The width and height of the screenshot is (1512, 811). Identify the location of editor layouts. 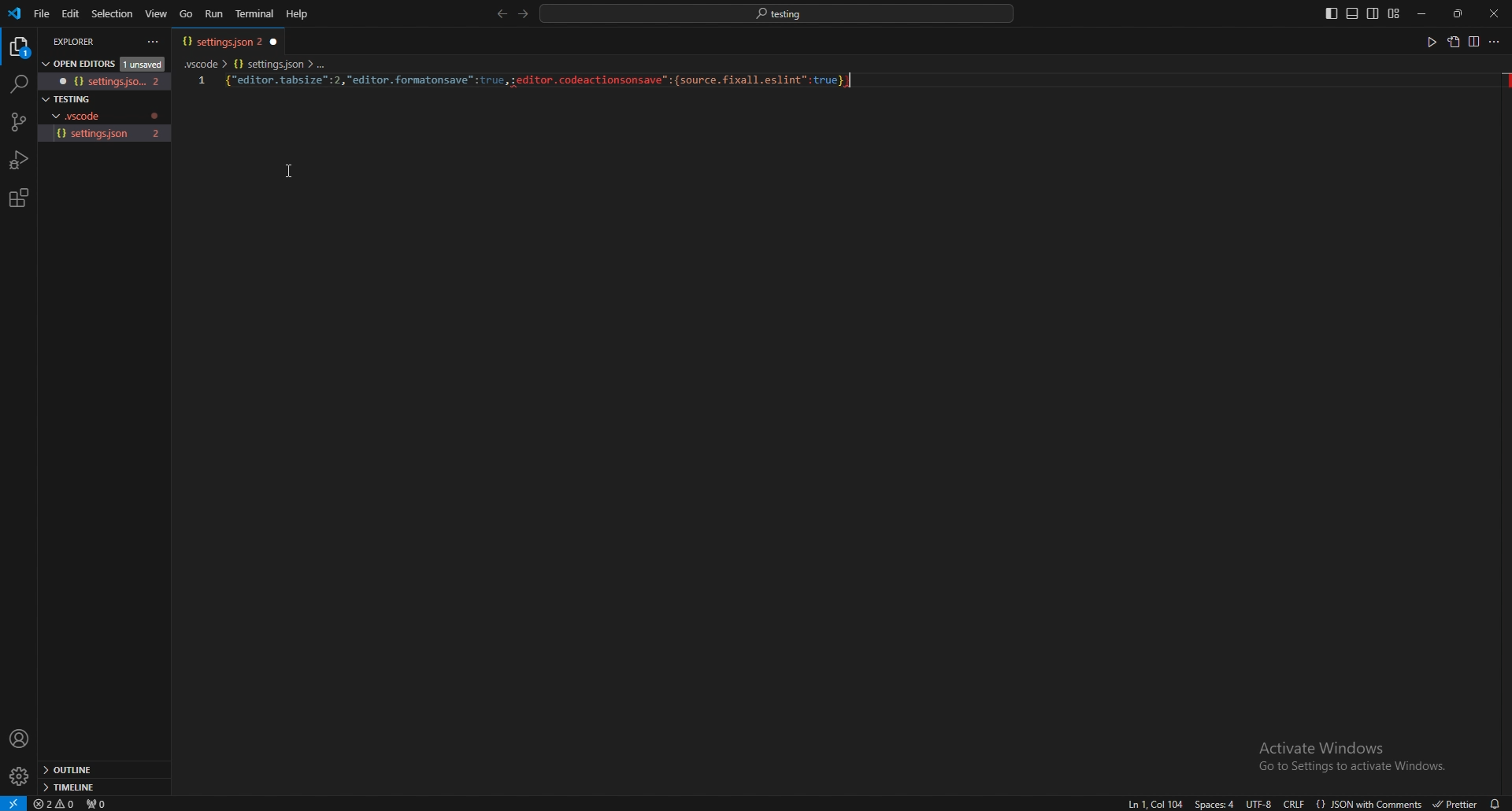
(1362, 13).